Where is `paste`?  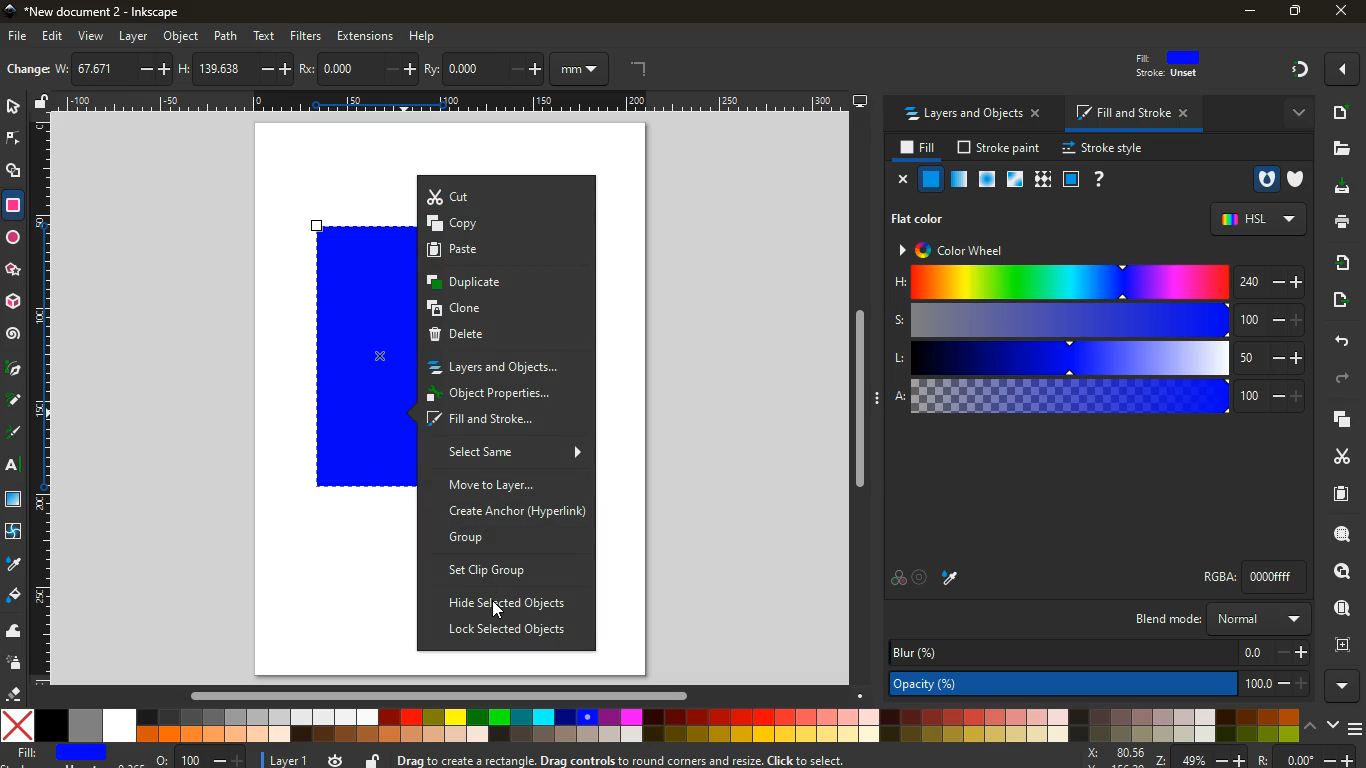
paste is located at coordinates (505, 251).